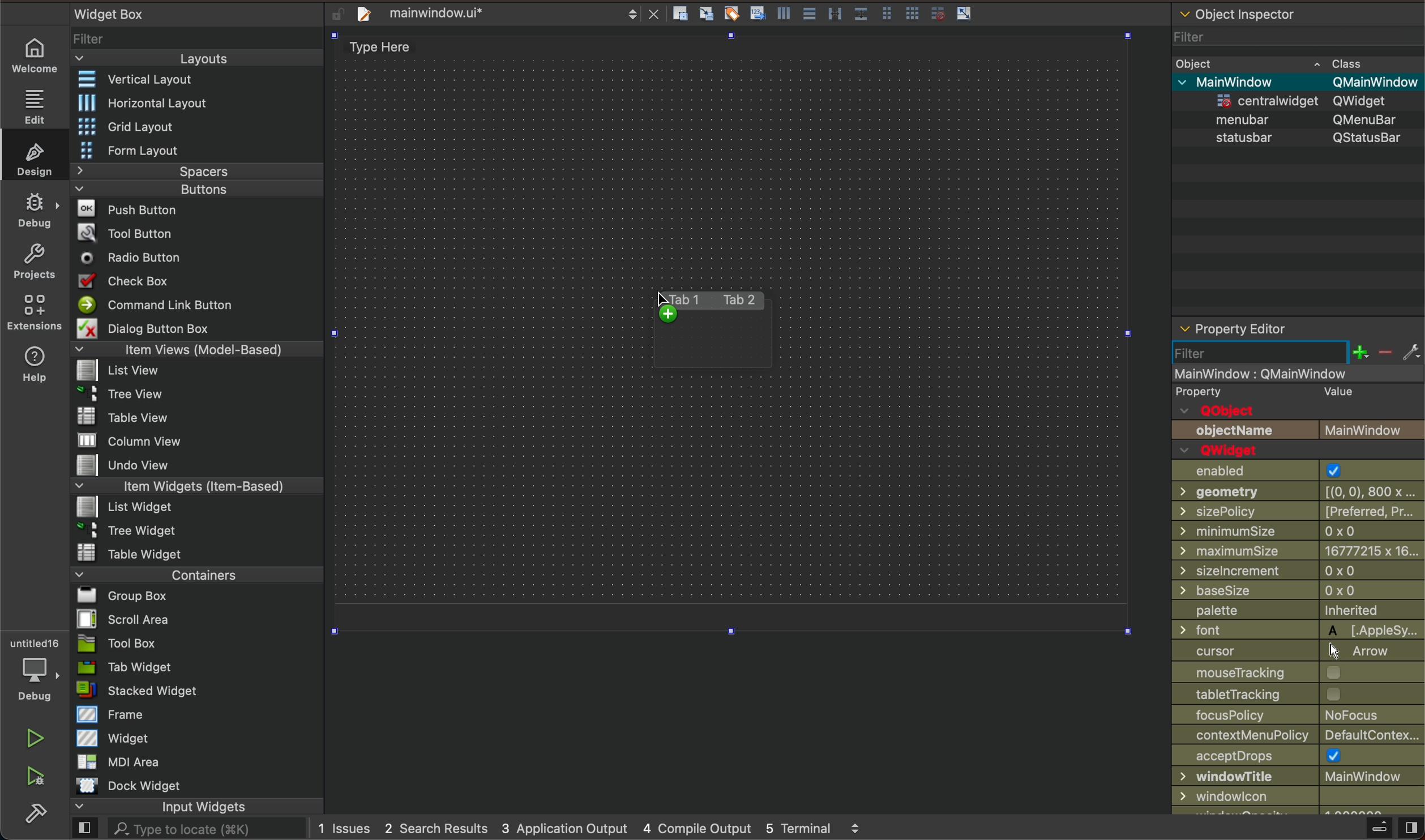 The height and width of the screenshot is (840, 1425). What do you see at coordinates (122, 593) in the screenshot?
I see `Bl Group Box` at bounding box center [122, 593].